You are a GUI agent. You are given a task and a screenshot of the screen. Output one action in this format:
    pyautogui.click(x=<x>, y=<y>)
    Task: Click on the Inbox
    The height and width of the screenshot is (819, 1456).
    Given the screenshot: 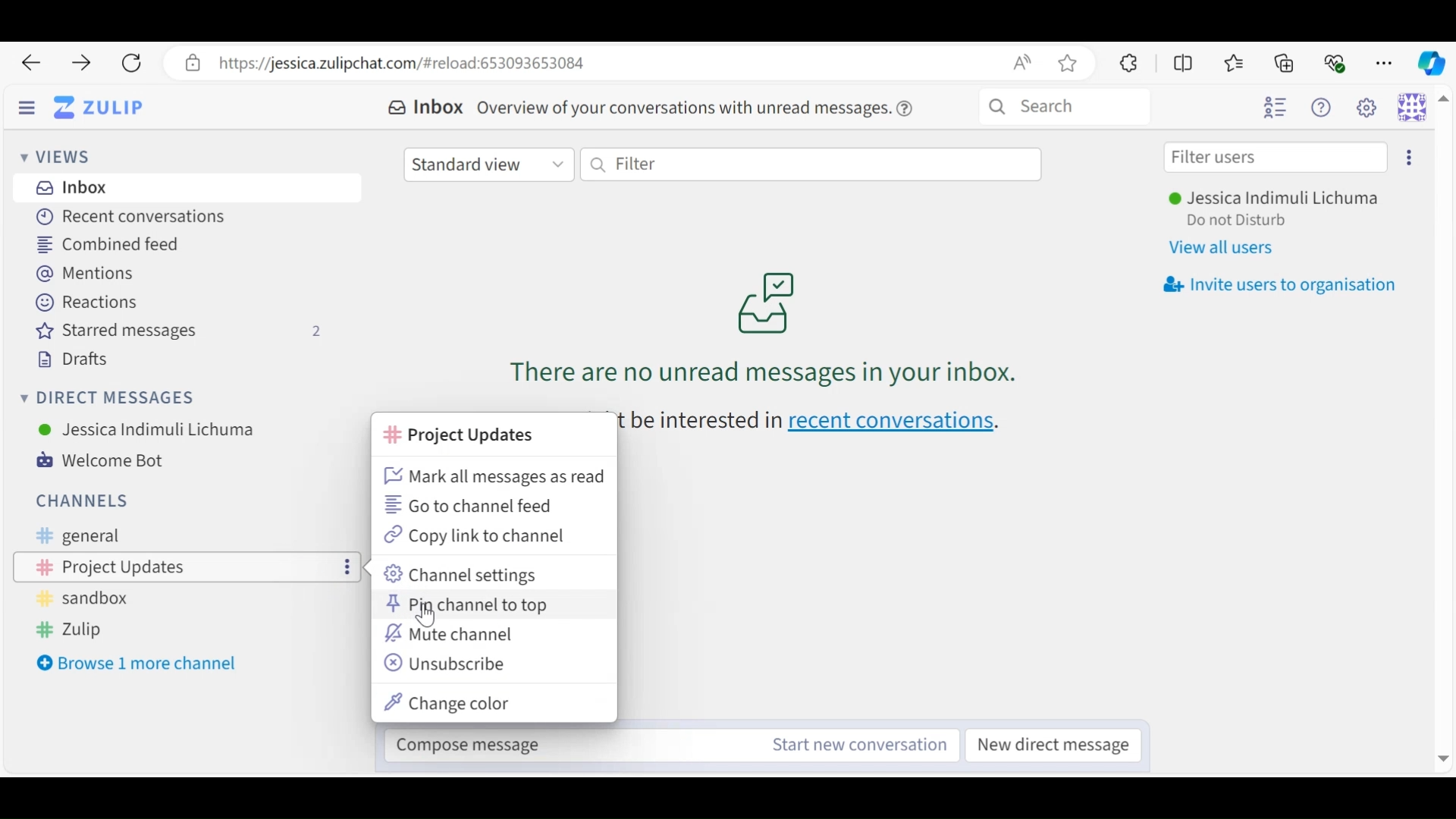 What is the action you would take?
    pyautogui.click(x=71, y=187)
    